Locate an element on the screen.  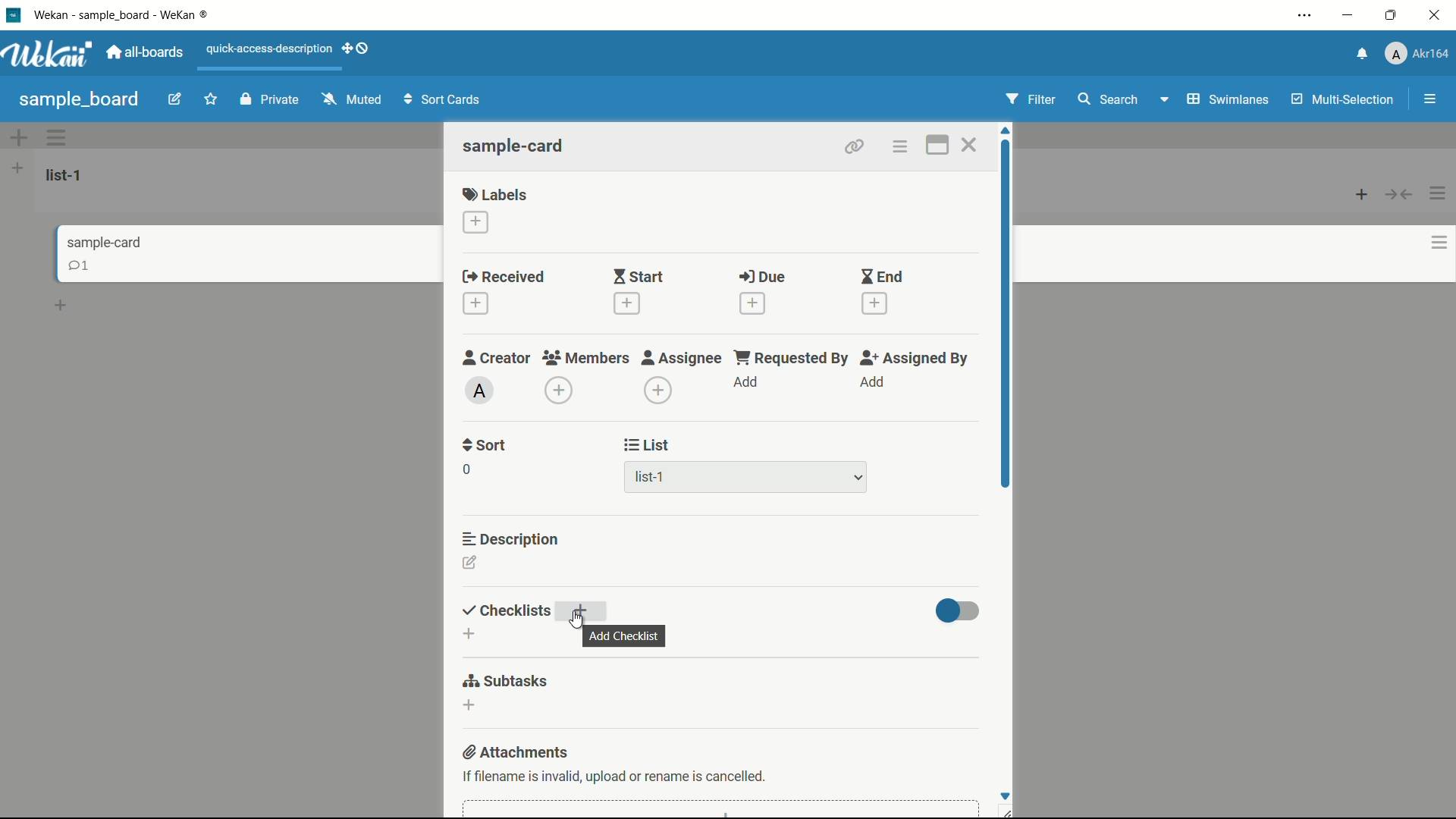
add is located at coordinates (874, 381).